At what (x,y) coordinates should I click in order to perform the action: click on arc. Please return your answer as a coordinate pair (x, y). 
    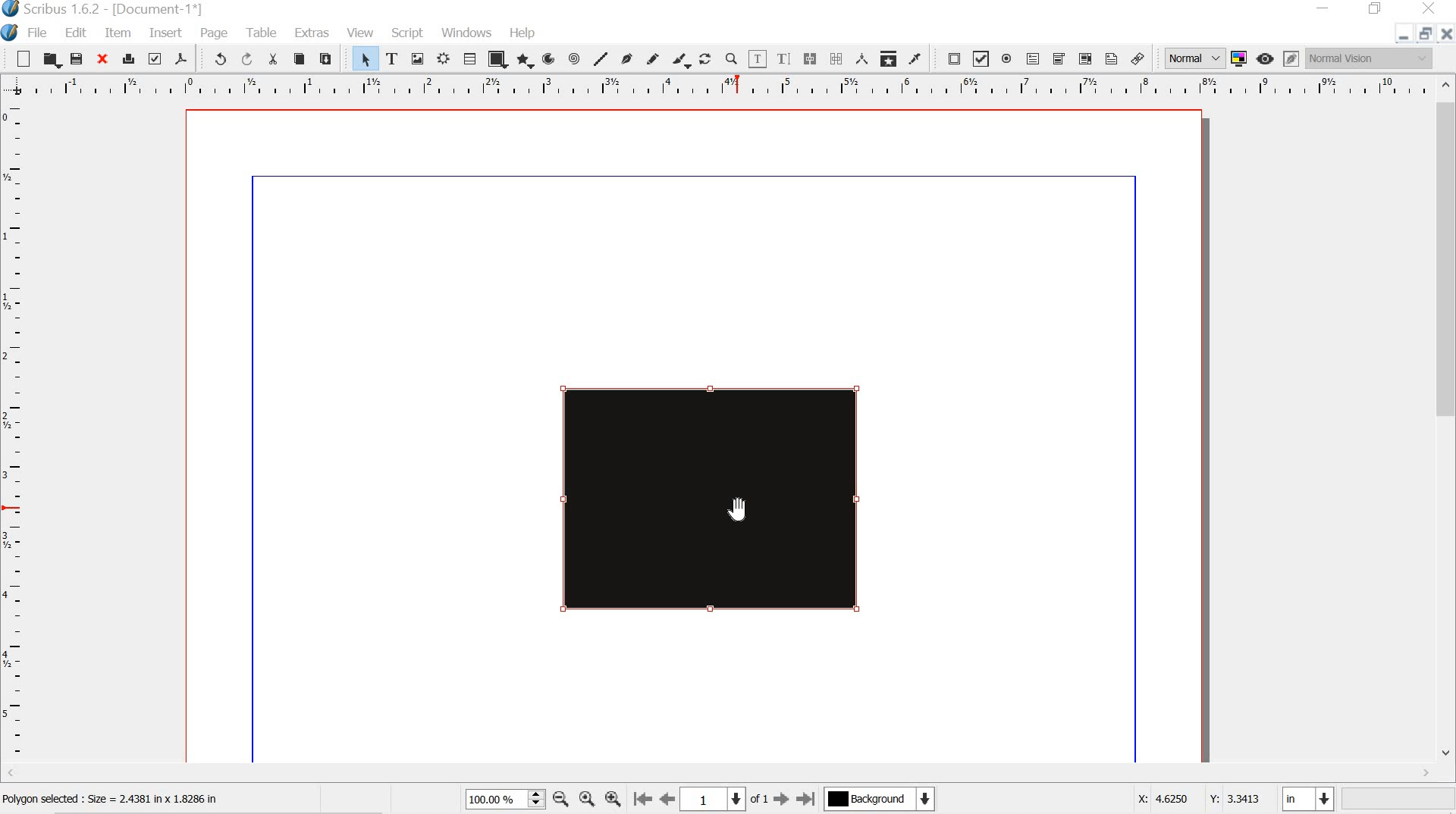
    Looking at the image, I should click on (550, 59).